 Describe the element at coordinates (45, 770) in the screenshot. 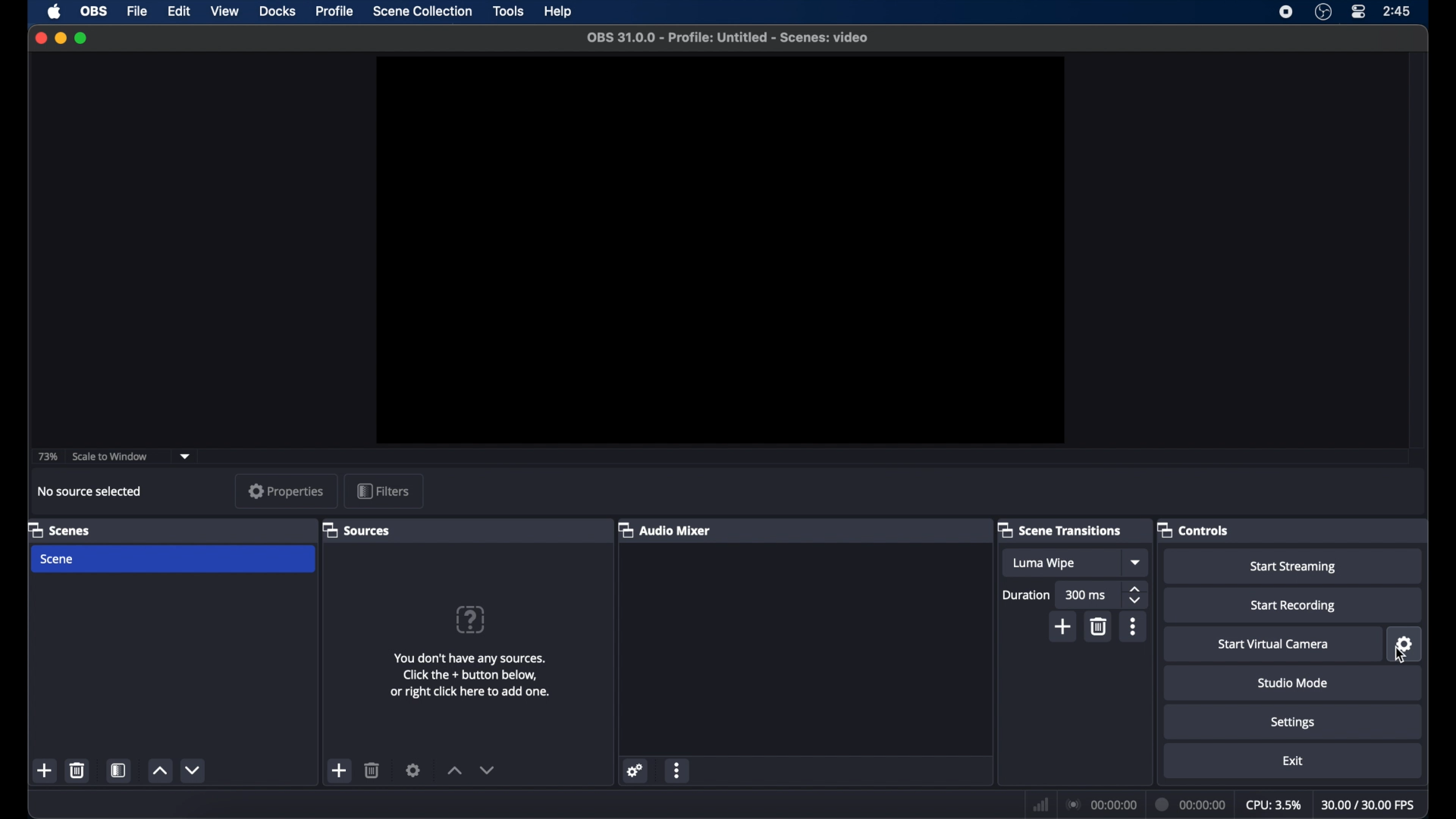

I see `add` at that location.